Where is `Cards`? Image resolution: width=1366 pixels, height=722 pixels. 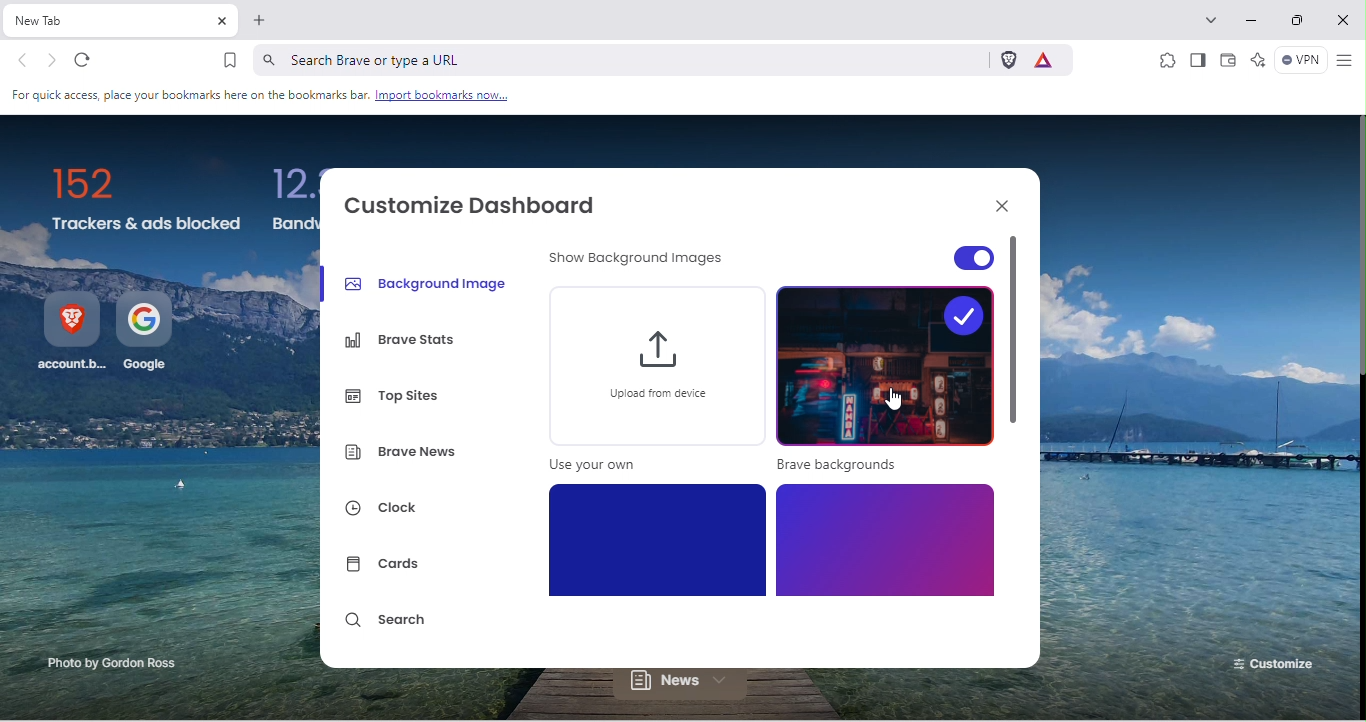 Cards is located at coordinates (388, 566).